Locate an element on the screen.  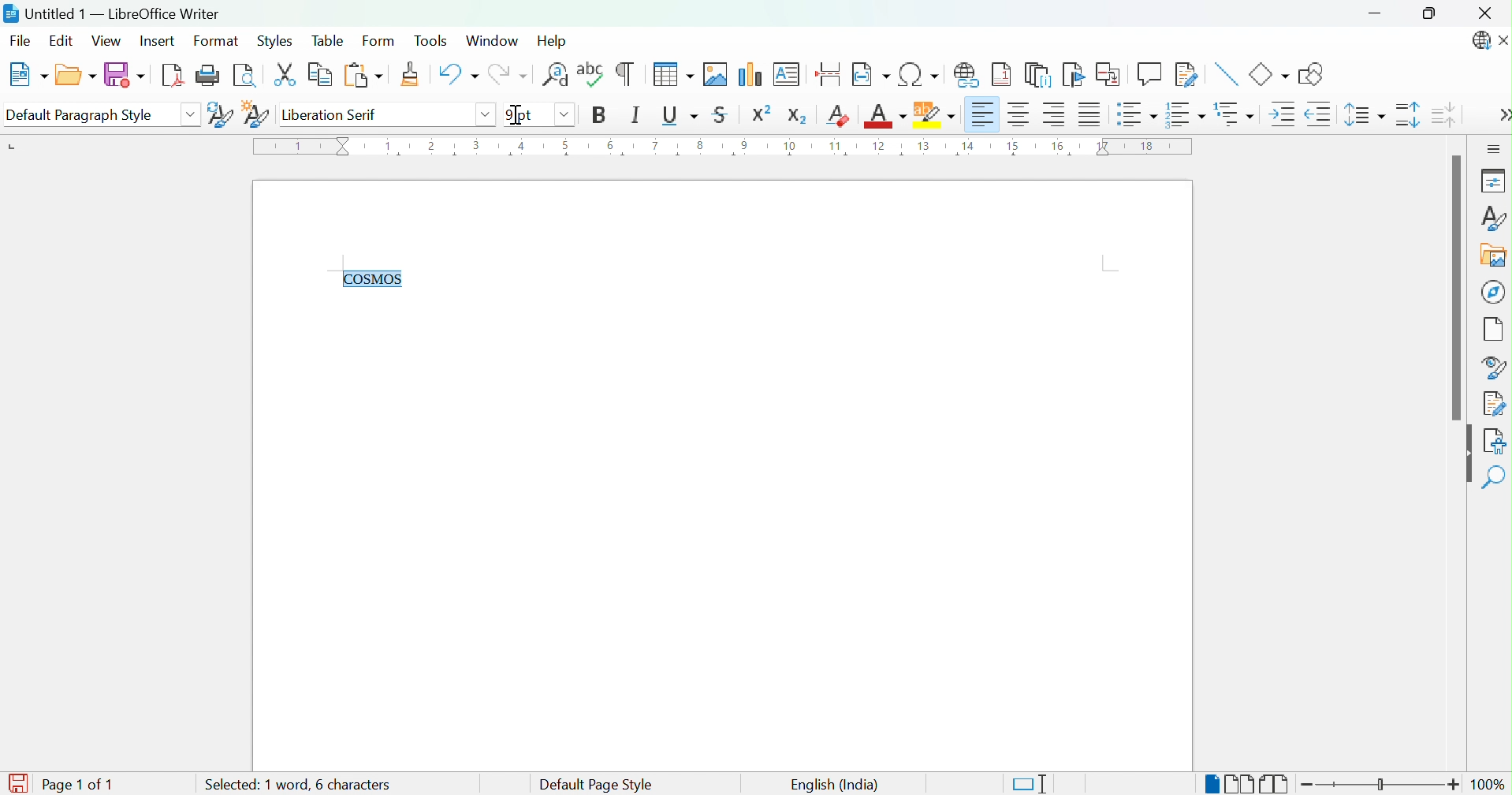
Default Paragraph Style is located at coordinates (85, 114).